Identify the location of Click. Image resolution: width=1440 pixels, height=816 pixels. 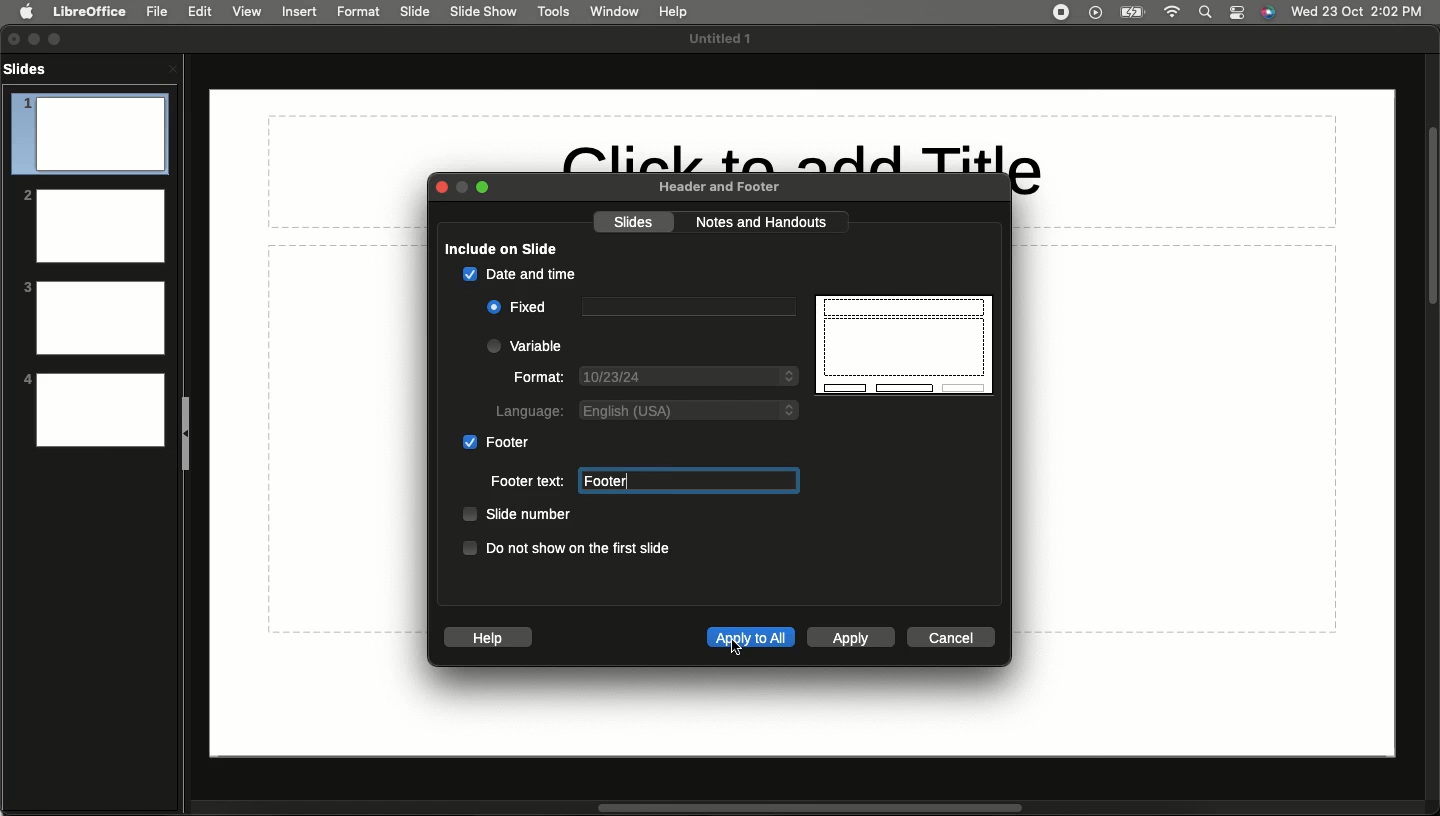
(738, 651).